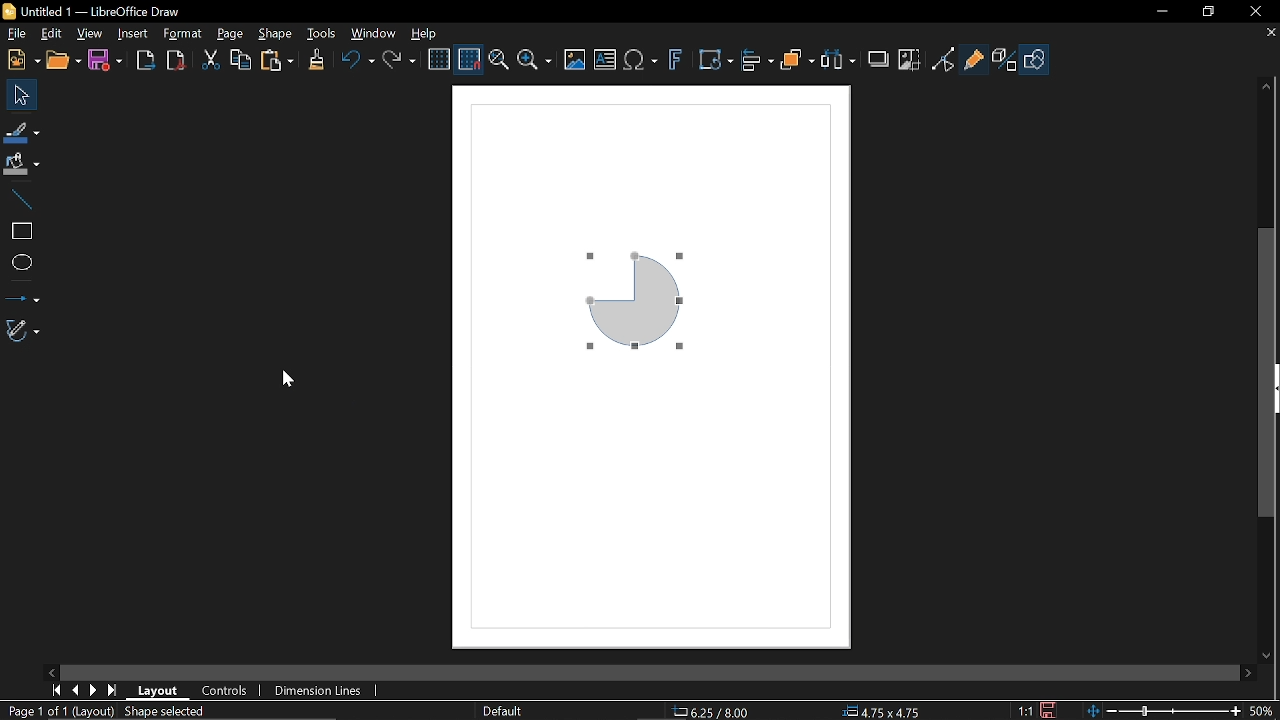 The image size is (1280, 720). I want to click on Line, so click(19, 199).